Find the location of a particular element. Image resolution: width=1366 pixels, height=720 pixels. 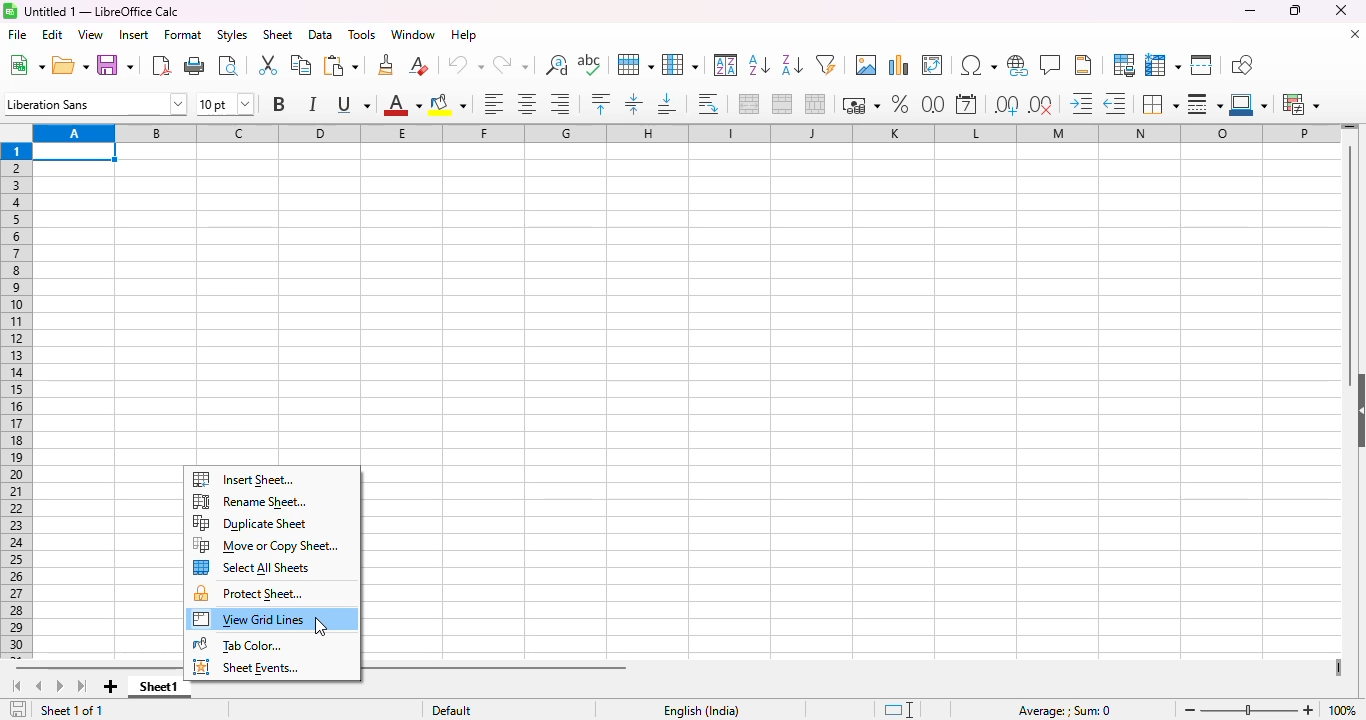

zoom out is located at coordinates (1190, 710).